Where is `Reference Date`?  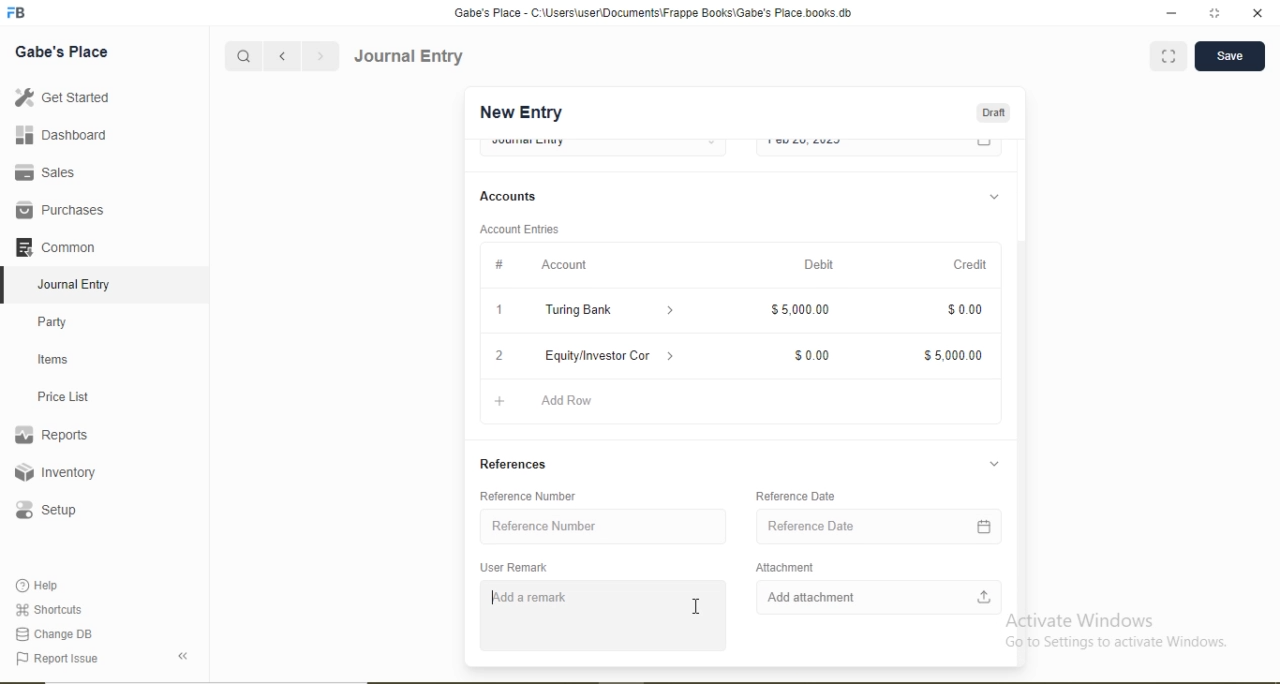 Reference Date is located at coordinates (812, 526).